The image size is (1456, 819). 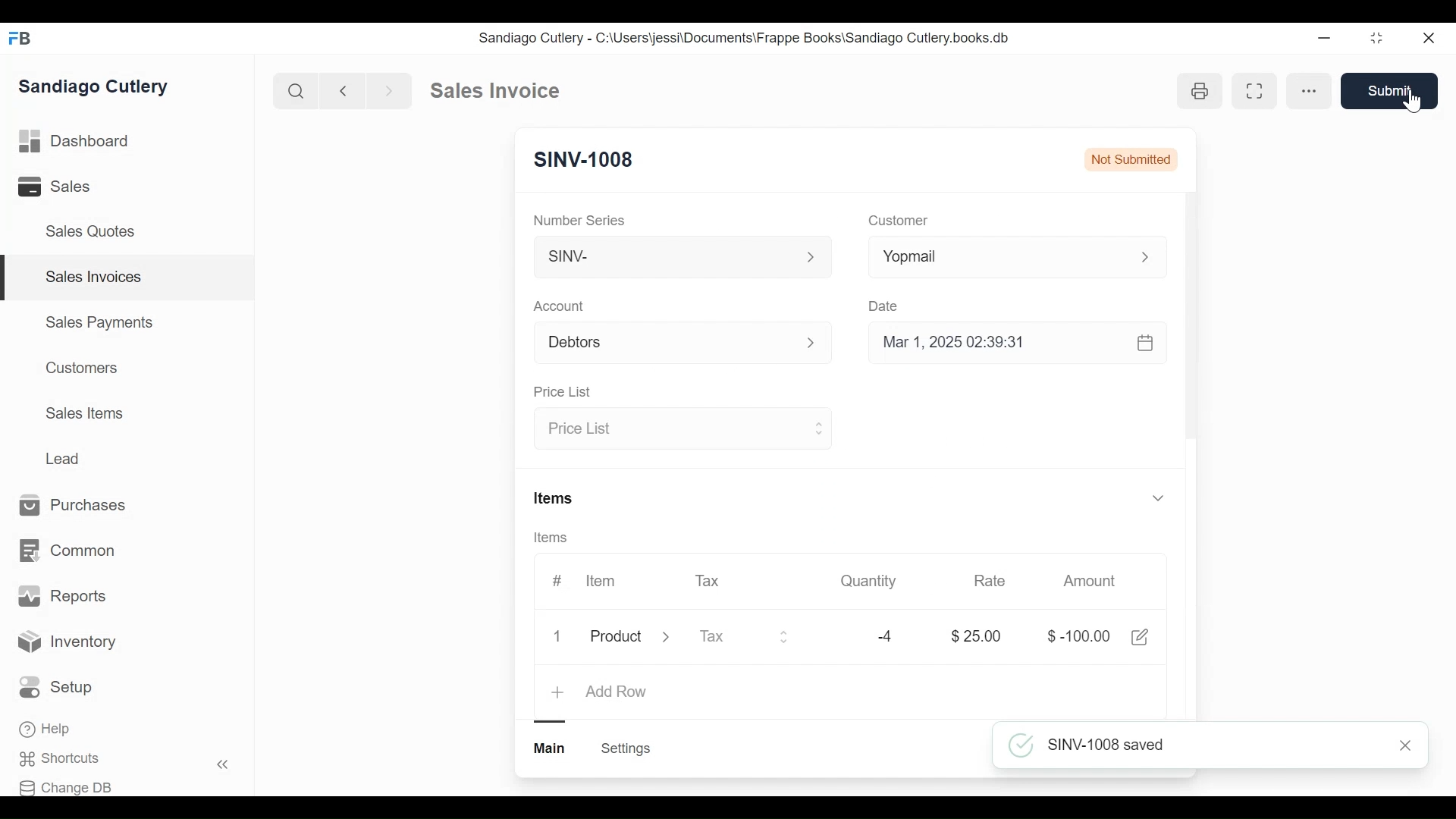 What do you see at coordinates (1193, 317) in the screenshot?
I see `Vertical scrollbar` at bounding box center [1193, 317].